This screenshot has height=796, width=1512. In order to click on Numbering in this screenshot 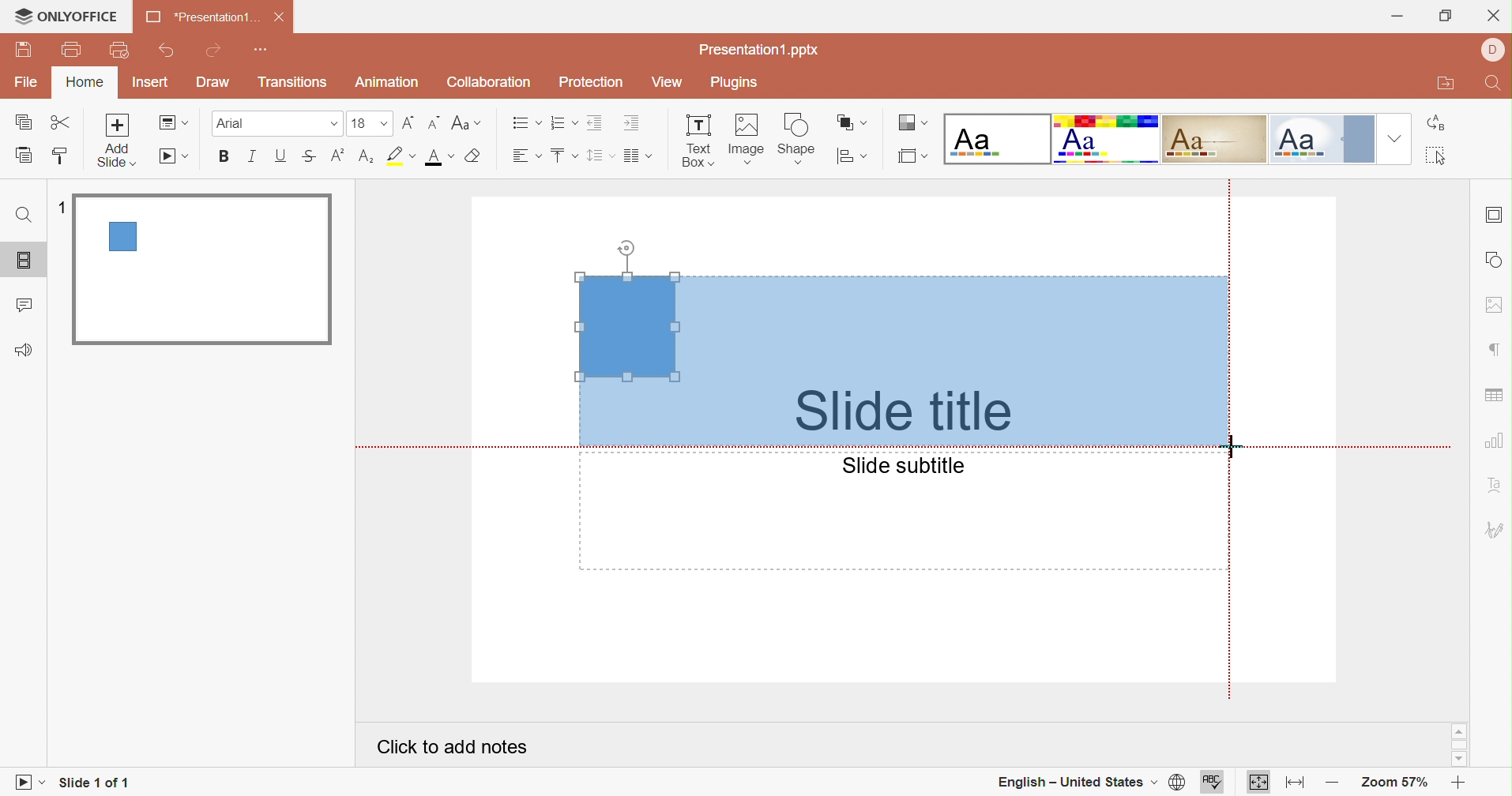, I will do `click(564, 122)`.